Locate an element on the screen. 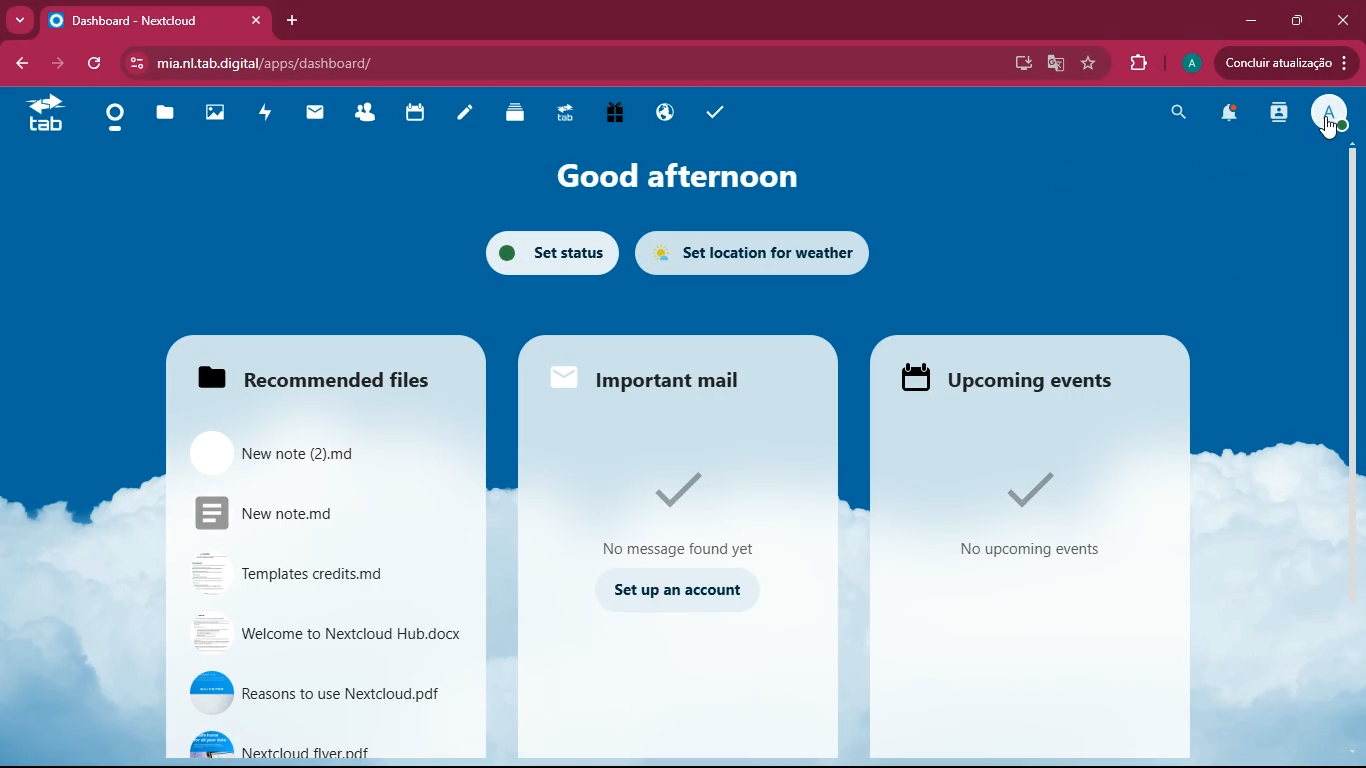 Image resolution: width=1366 pixels, height=768 pixels. calendar is located at coordinates (415, 112).